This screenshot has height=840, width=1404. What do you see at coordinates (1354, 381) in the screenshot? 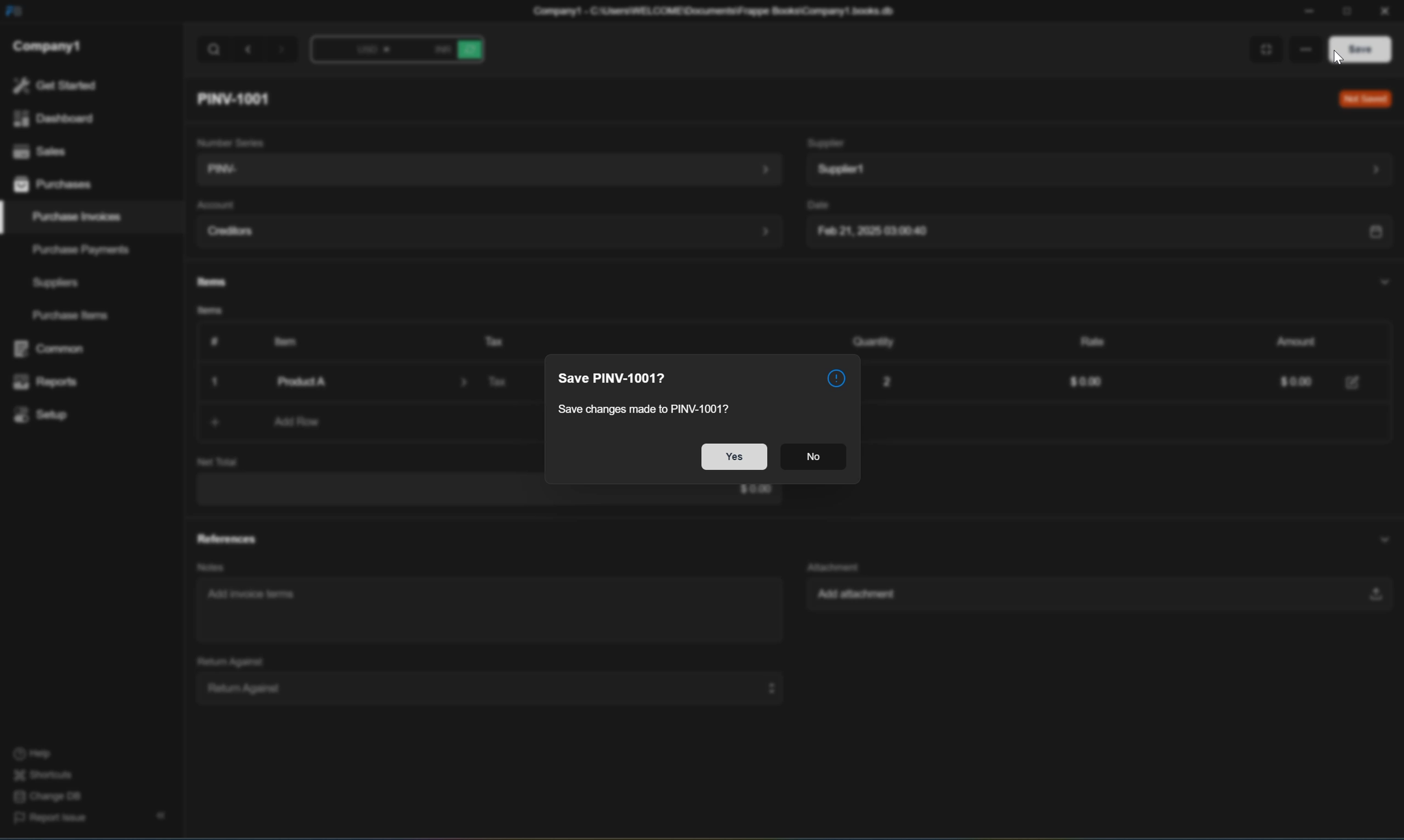
I see `Edit` at bounding box center [1354, 381].